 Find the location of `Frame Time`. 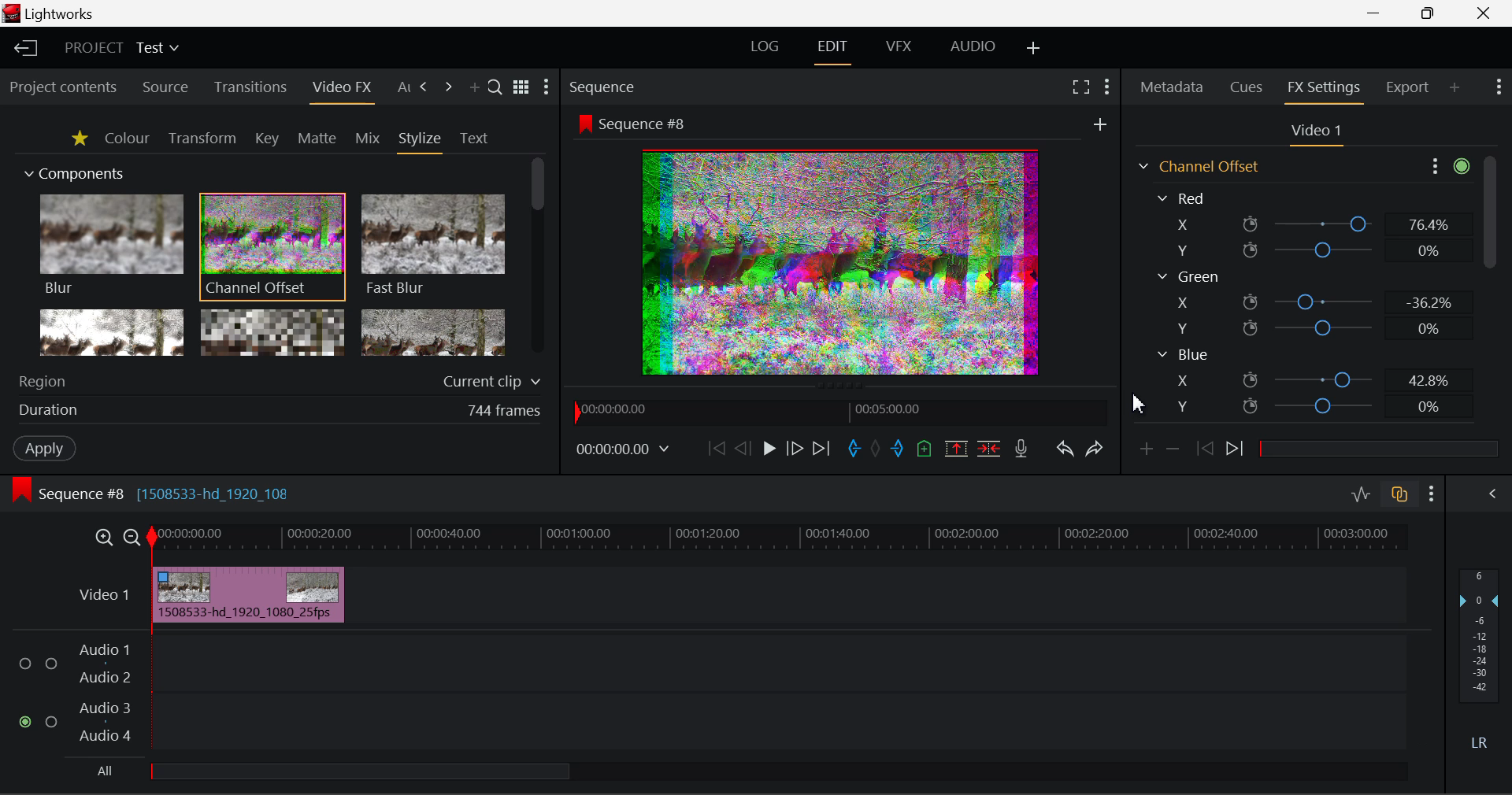

Frame Time is located at coordinates (623, 451).